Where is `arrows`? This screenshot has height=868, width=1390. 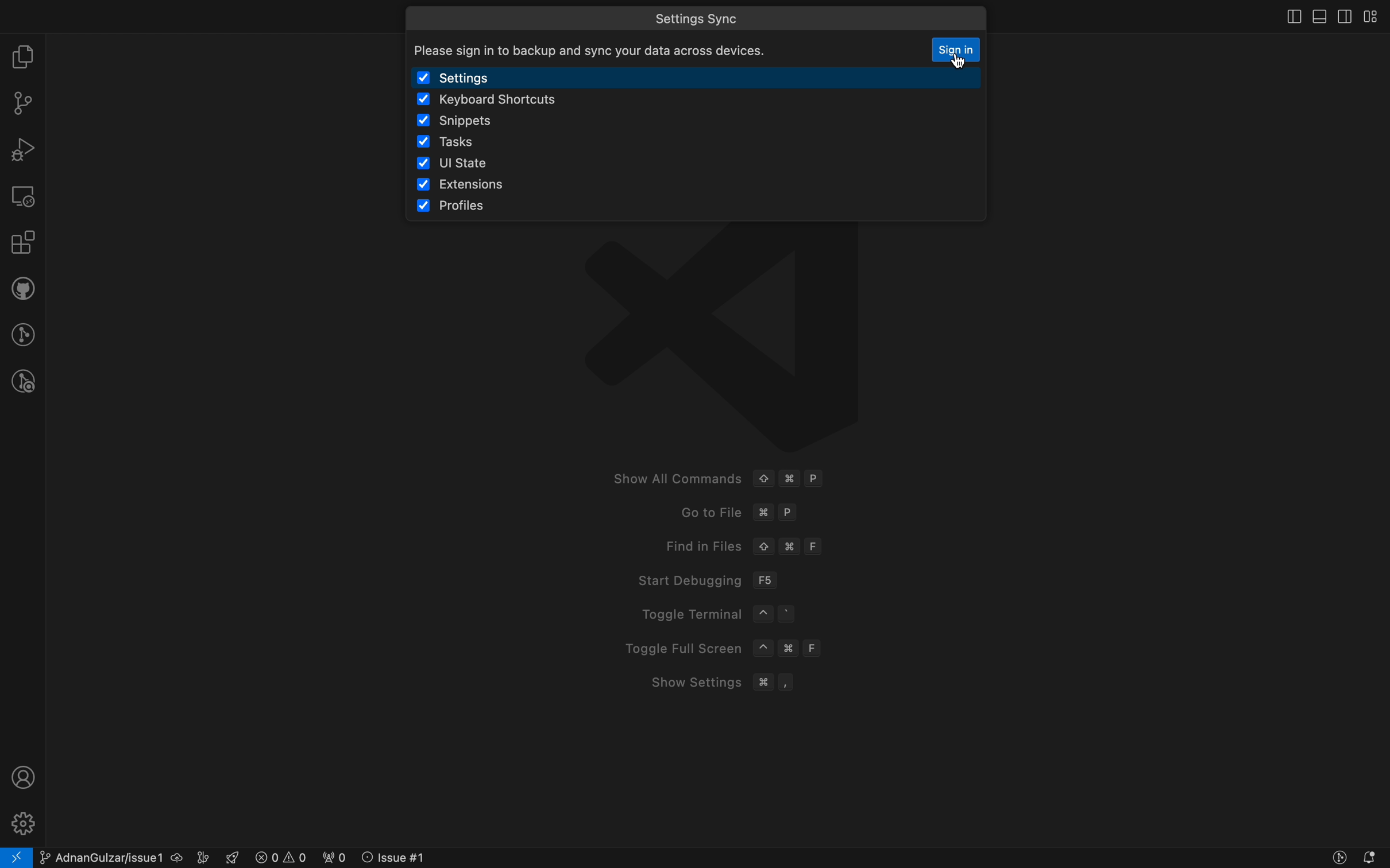 arrows is located at coordinates (422, 15).